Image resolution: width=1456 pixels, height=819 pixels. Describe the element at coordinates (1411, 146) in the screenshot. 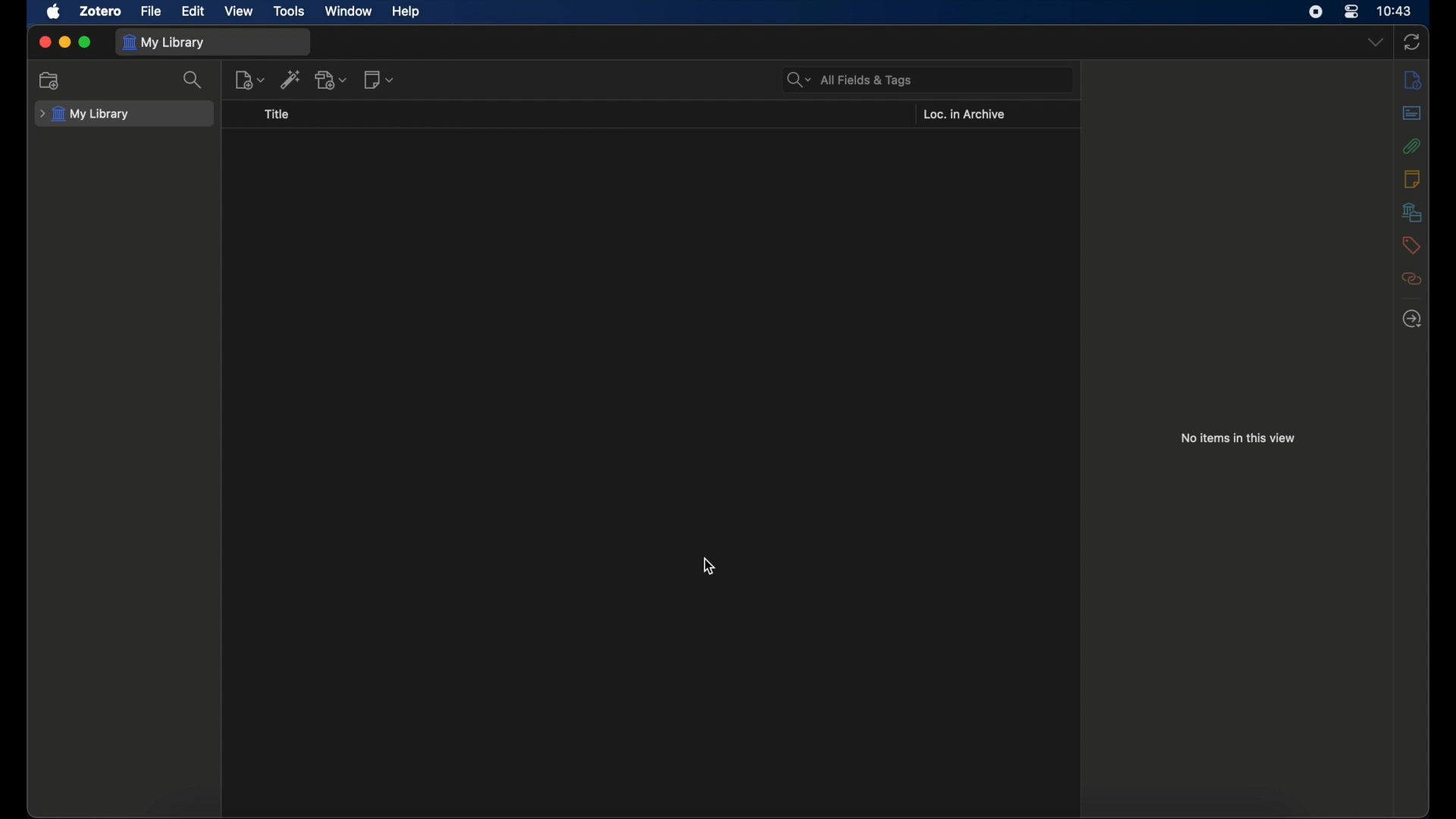

I see `attachments` at that location.